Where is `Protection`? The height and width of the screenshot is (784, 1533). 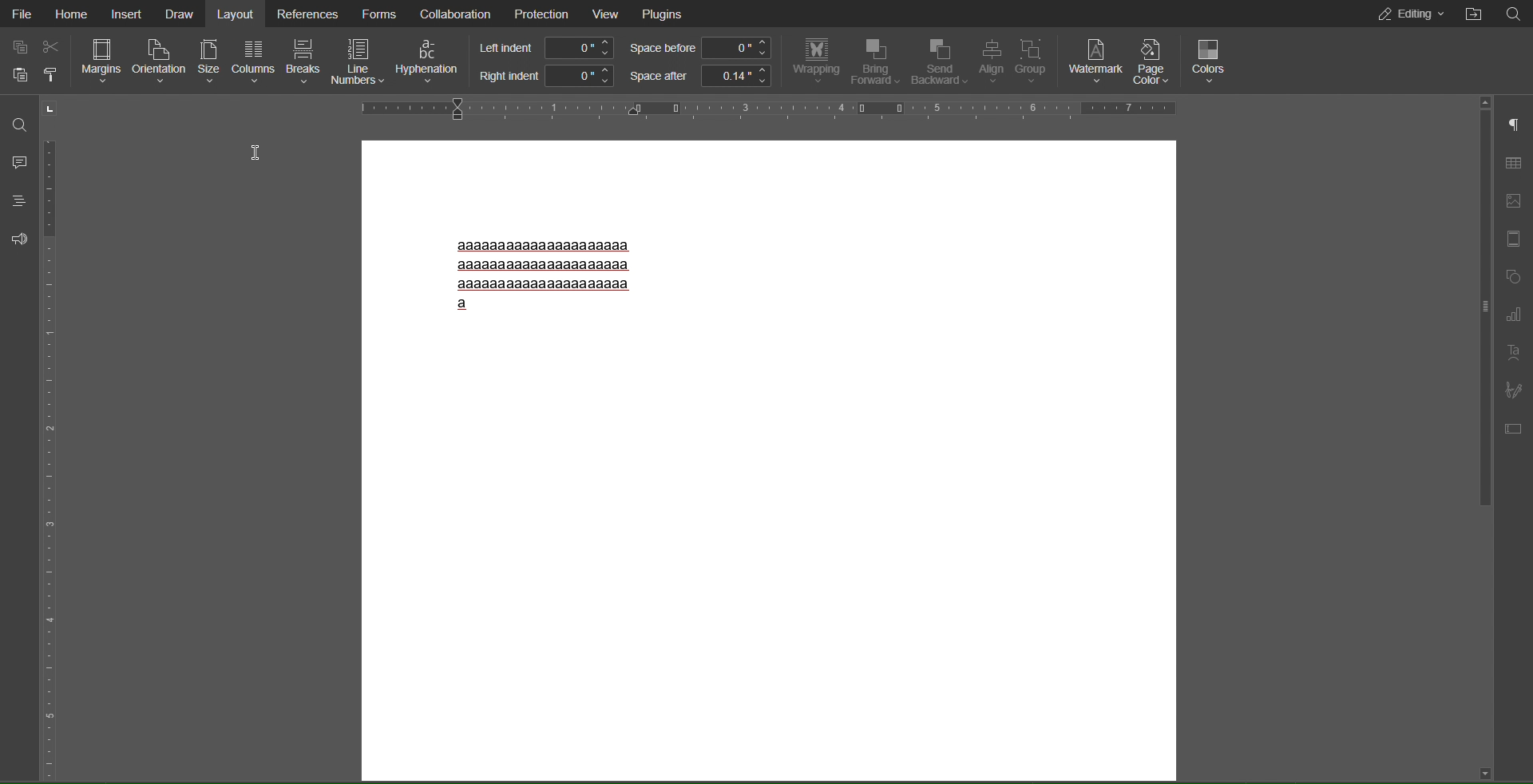
Protection is located at coordinates (540, 14).